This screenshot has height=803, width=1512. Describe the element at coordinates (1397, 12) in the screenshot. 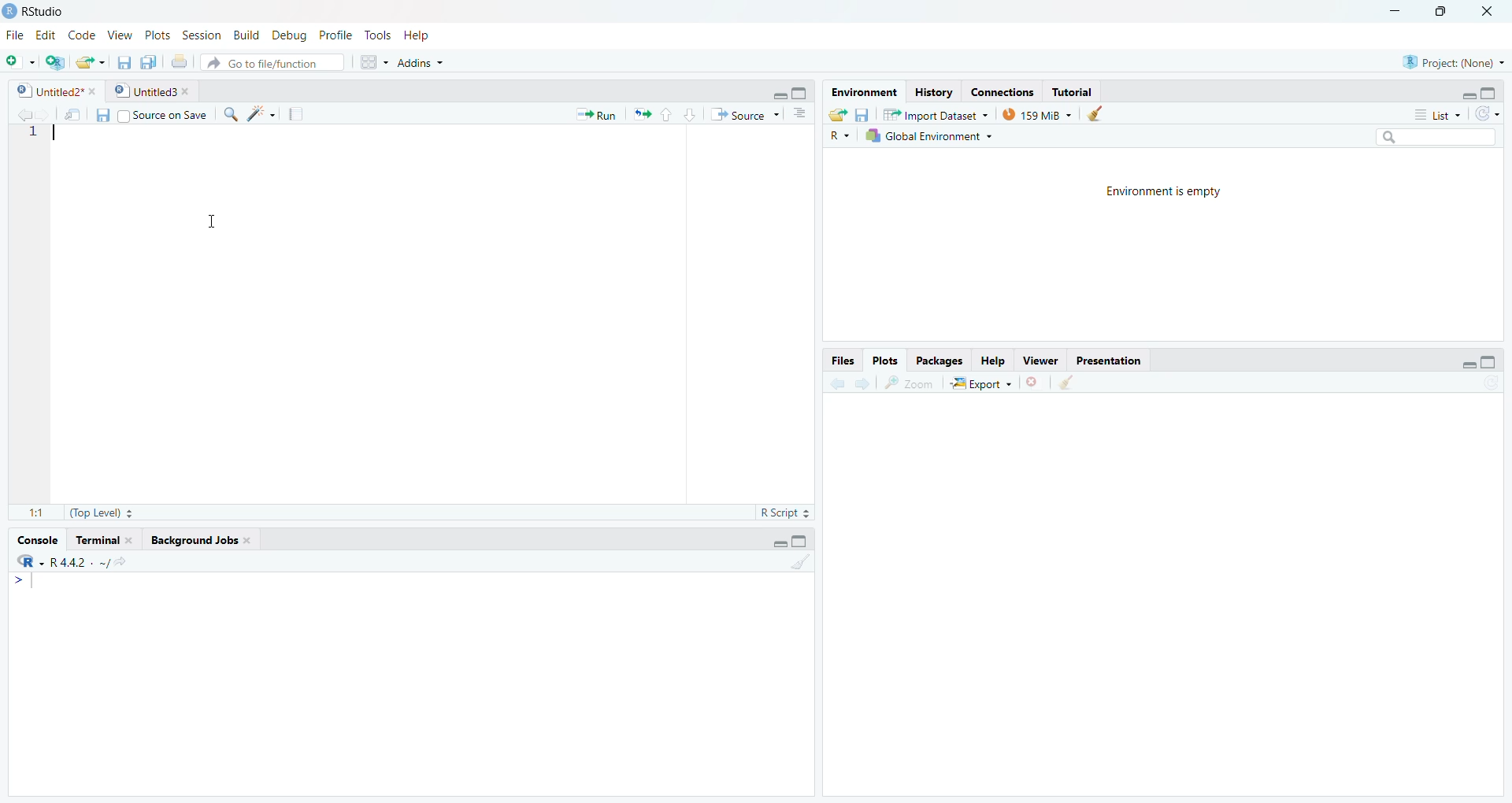

I see `Minimize` at that location.